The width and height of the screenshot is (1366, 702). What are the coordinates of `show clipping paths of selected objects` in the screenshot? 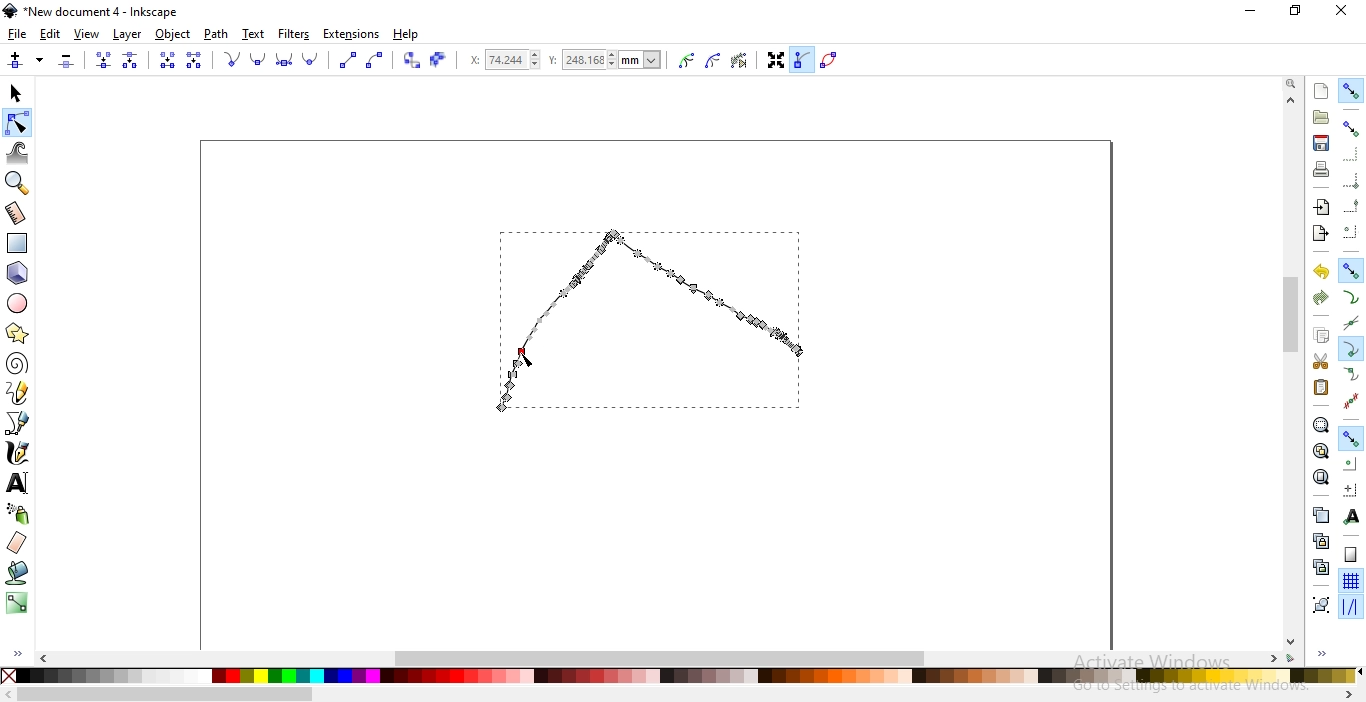 It's located at (687, 61).